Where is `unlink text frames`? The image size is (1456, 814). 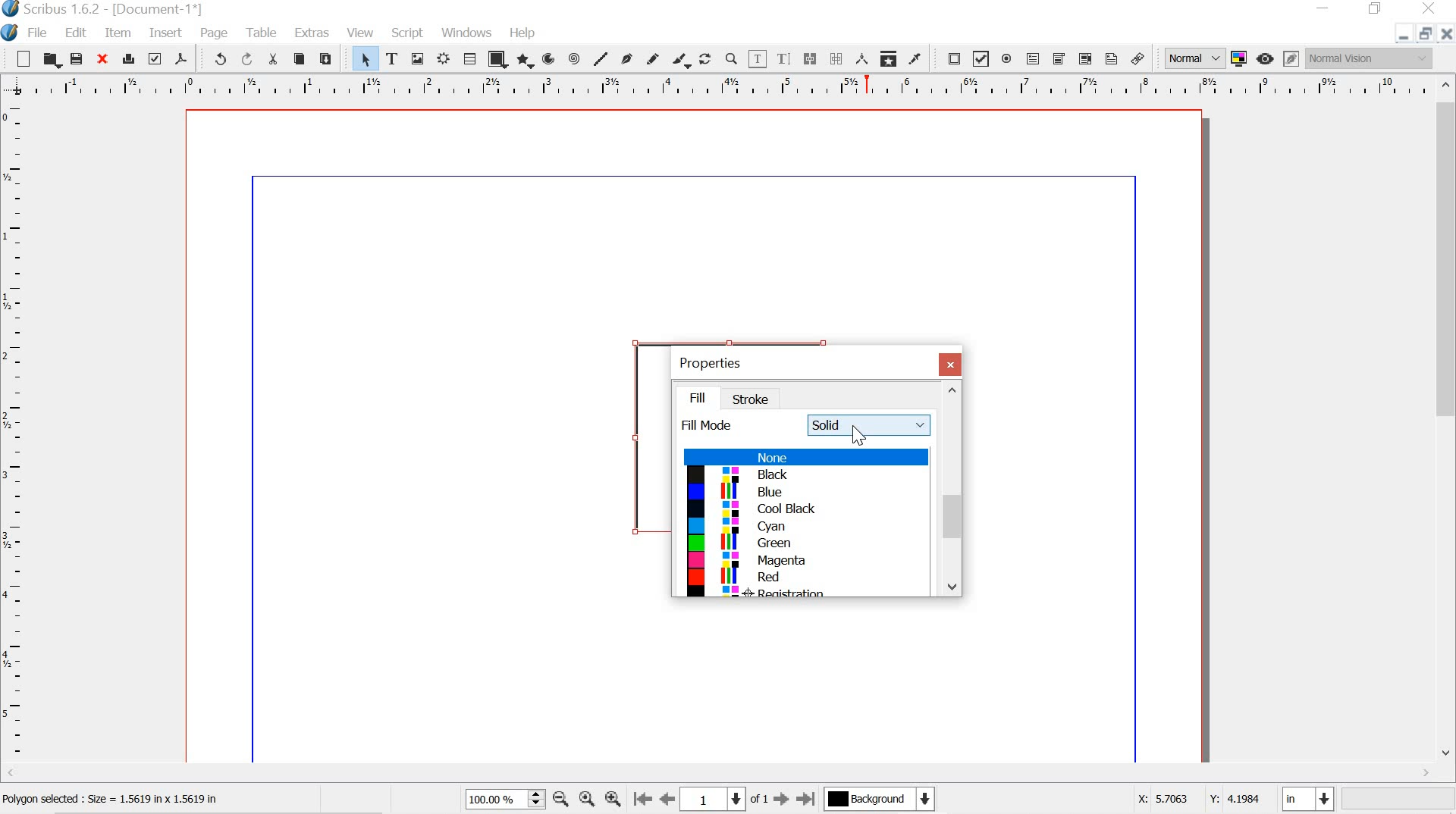 unlink text frames is located at coordinates (836, 57).